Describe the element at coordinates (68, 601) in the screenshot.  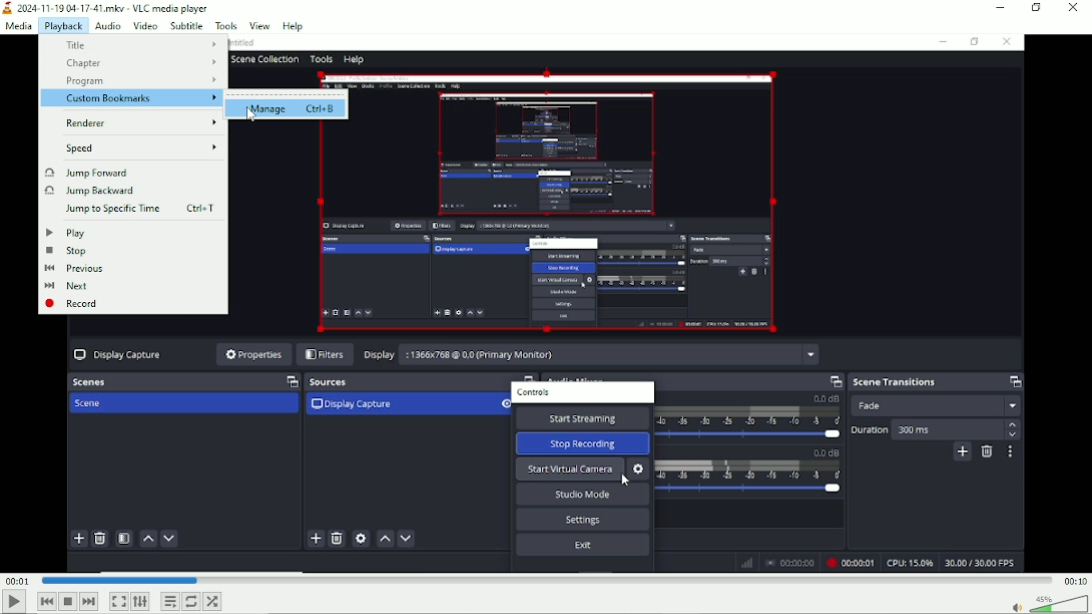
I see `Stop playback` at that location.